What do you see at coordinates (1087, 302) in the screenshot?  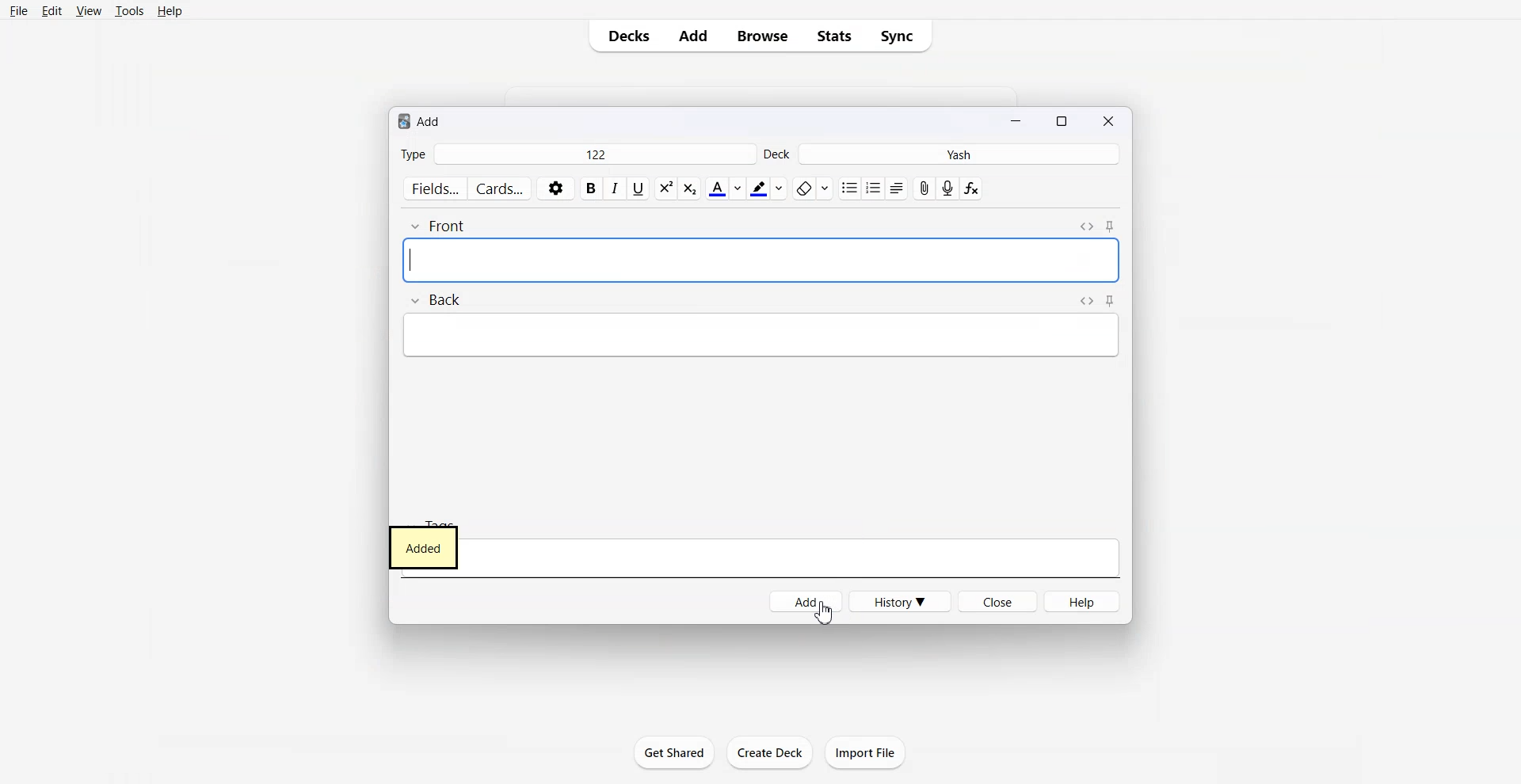 I see `Toggle HTML Editor` at bounding box center [1087, 302].